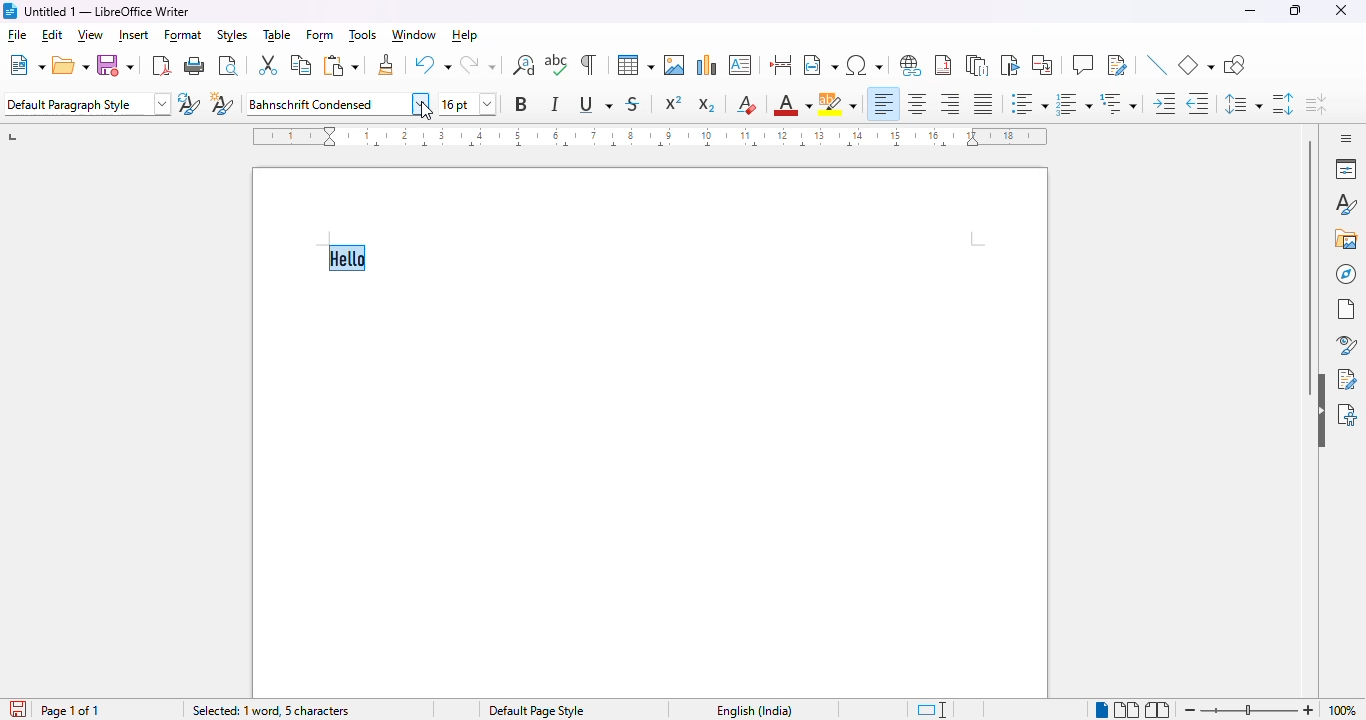 Image resolution: width=1366 pixels, height=720 pixels. I want to click on manage changes, so click(1347, 379).